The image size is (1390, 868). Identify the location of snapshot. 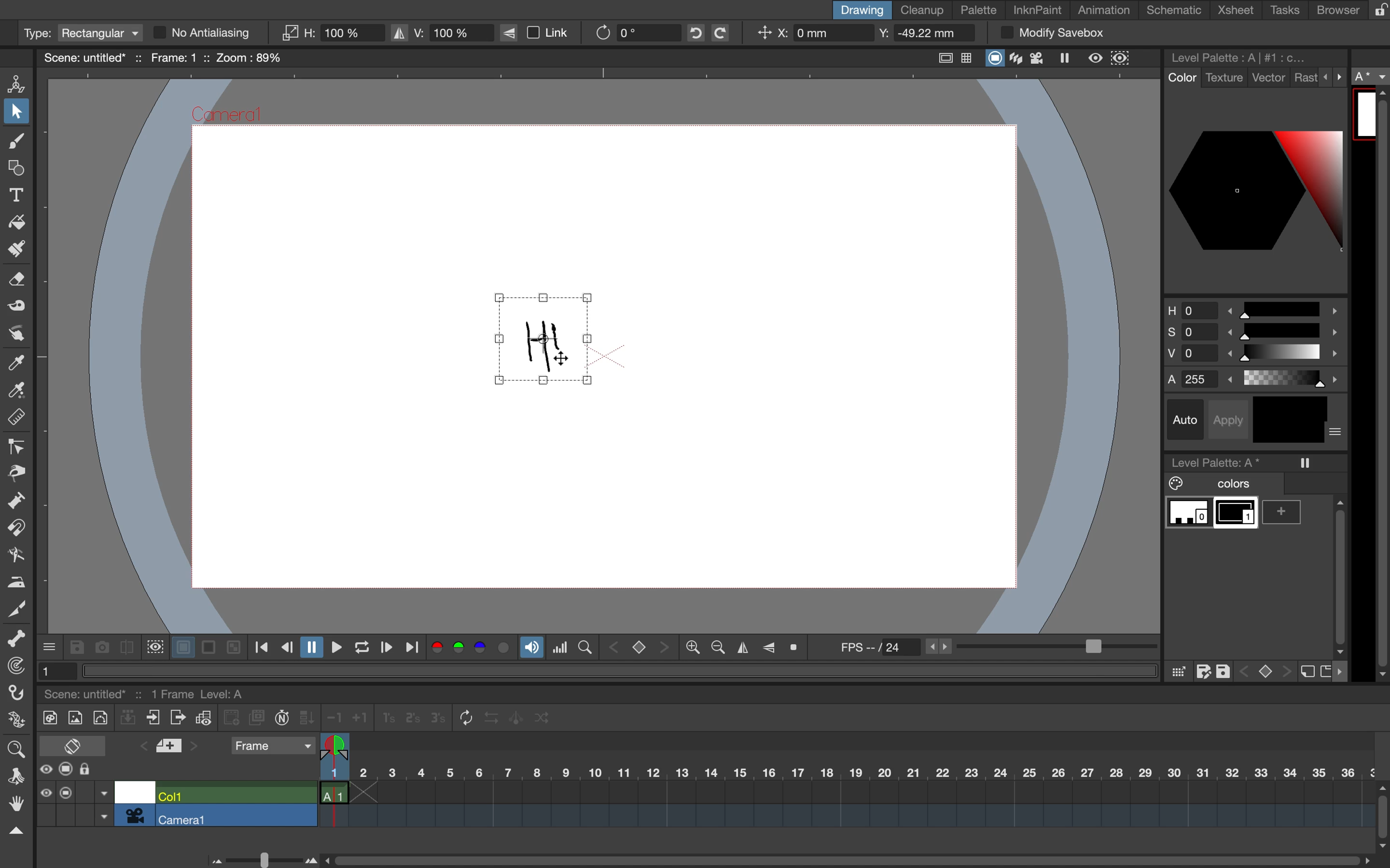
(100, 646).